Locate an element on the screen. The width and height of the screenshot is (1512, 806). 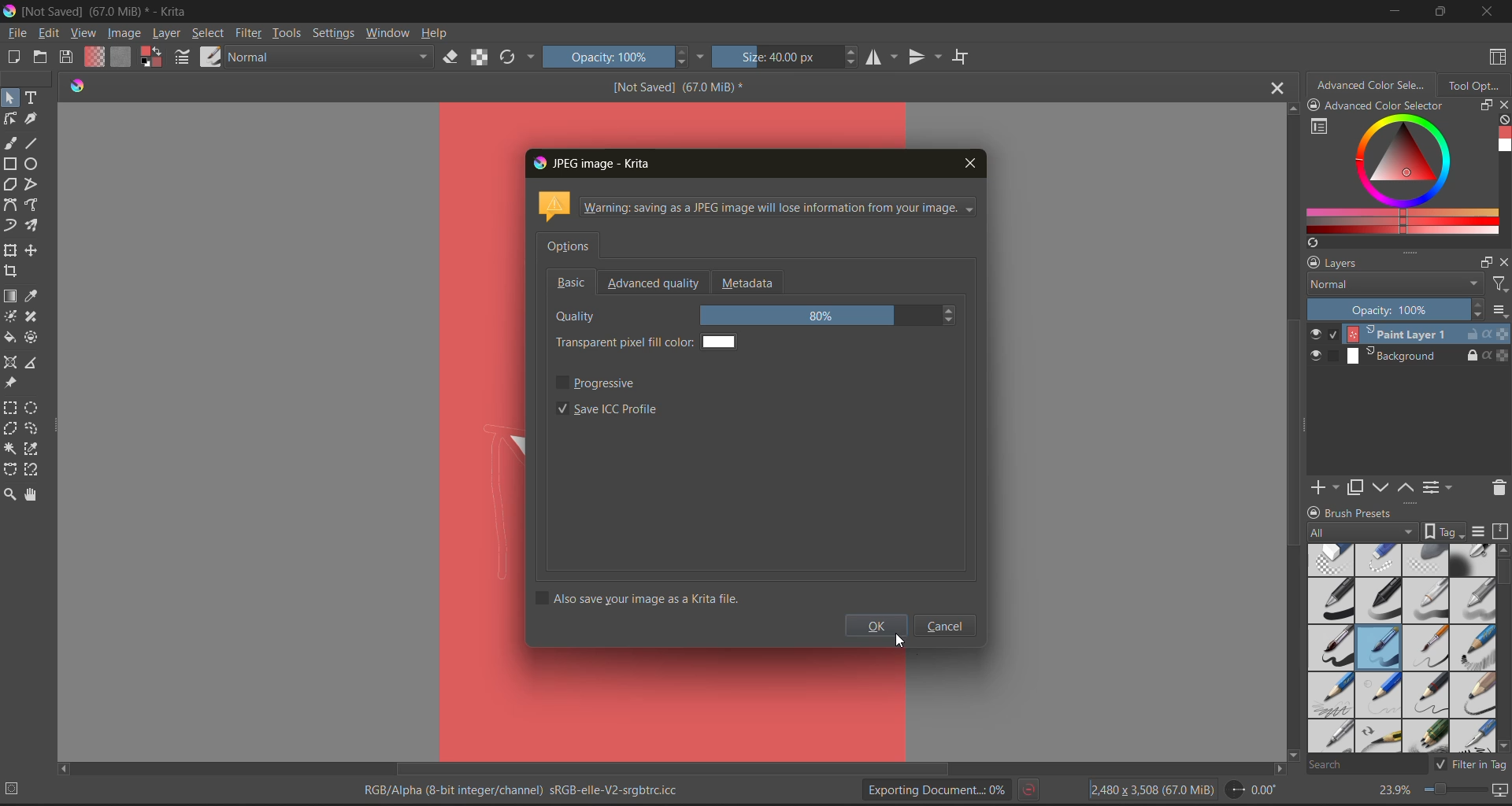
opacity is located at coordinates (619, 57).